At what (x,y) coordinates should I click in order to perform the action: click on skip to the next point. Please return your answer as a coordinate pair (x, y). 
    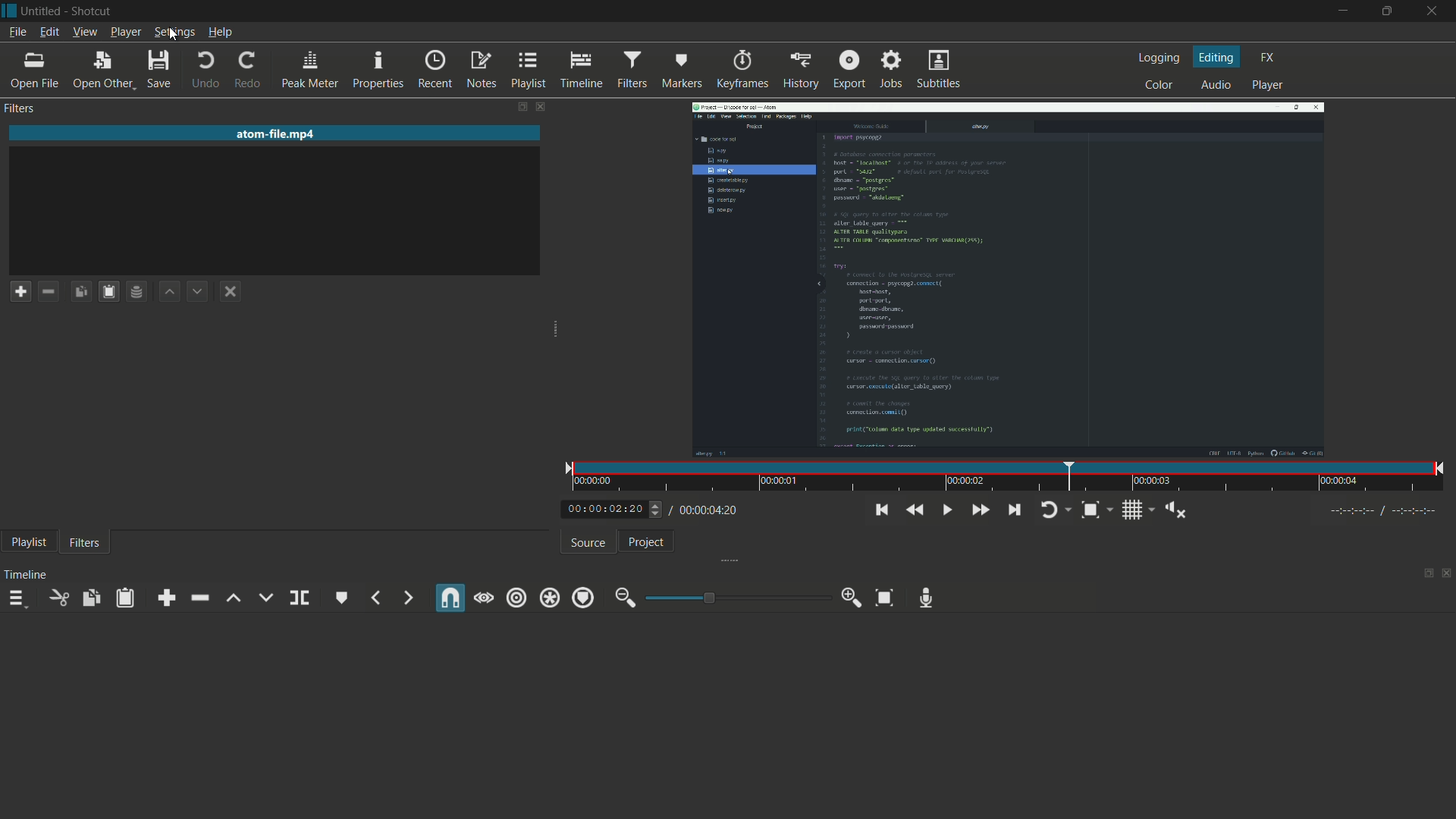
    Looking at the image, I should click on (1015, 510).